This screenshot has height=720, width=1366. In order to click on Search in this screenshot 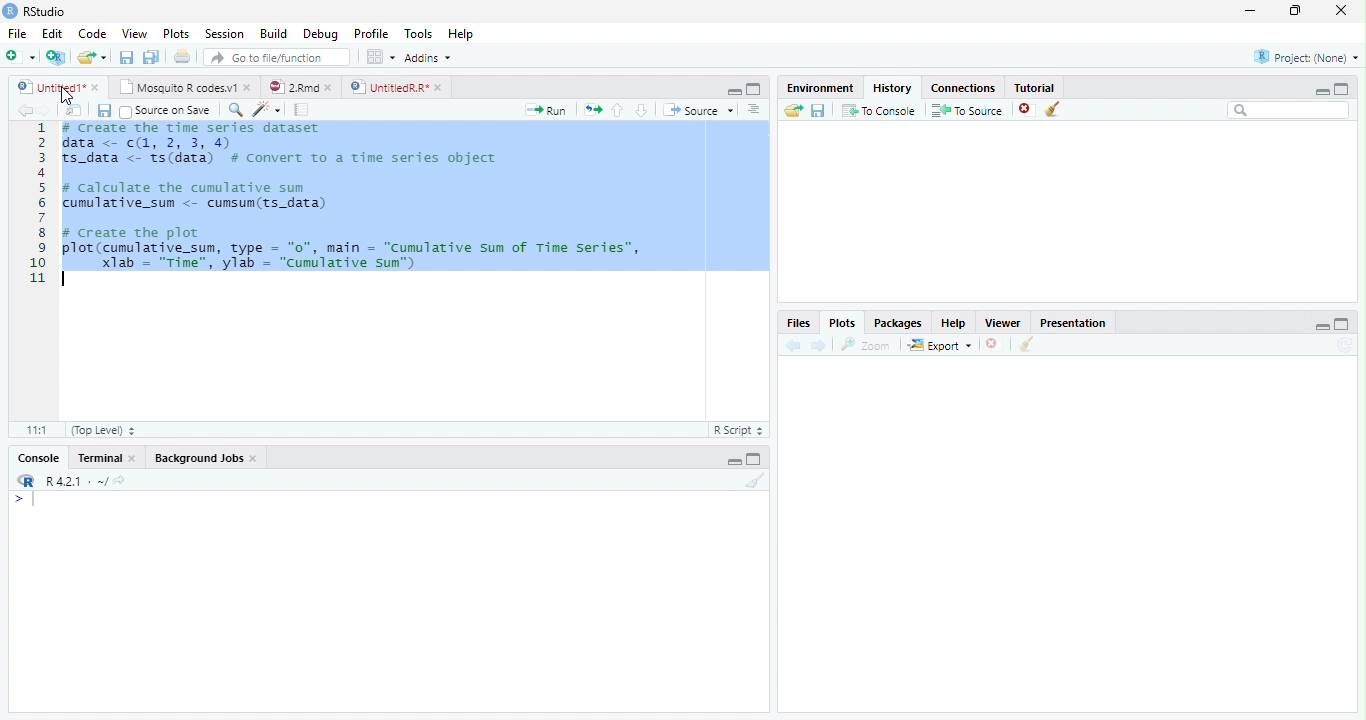, I will do `click(1287, 111)`.